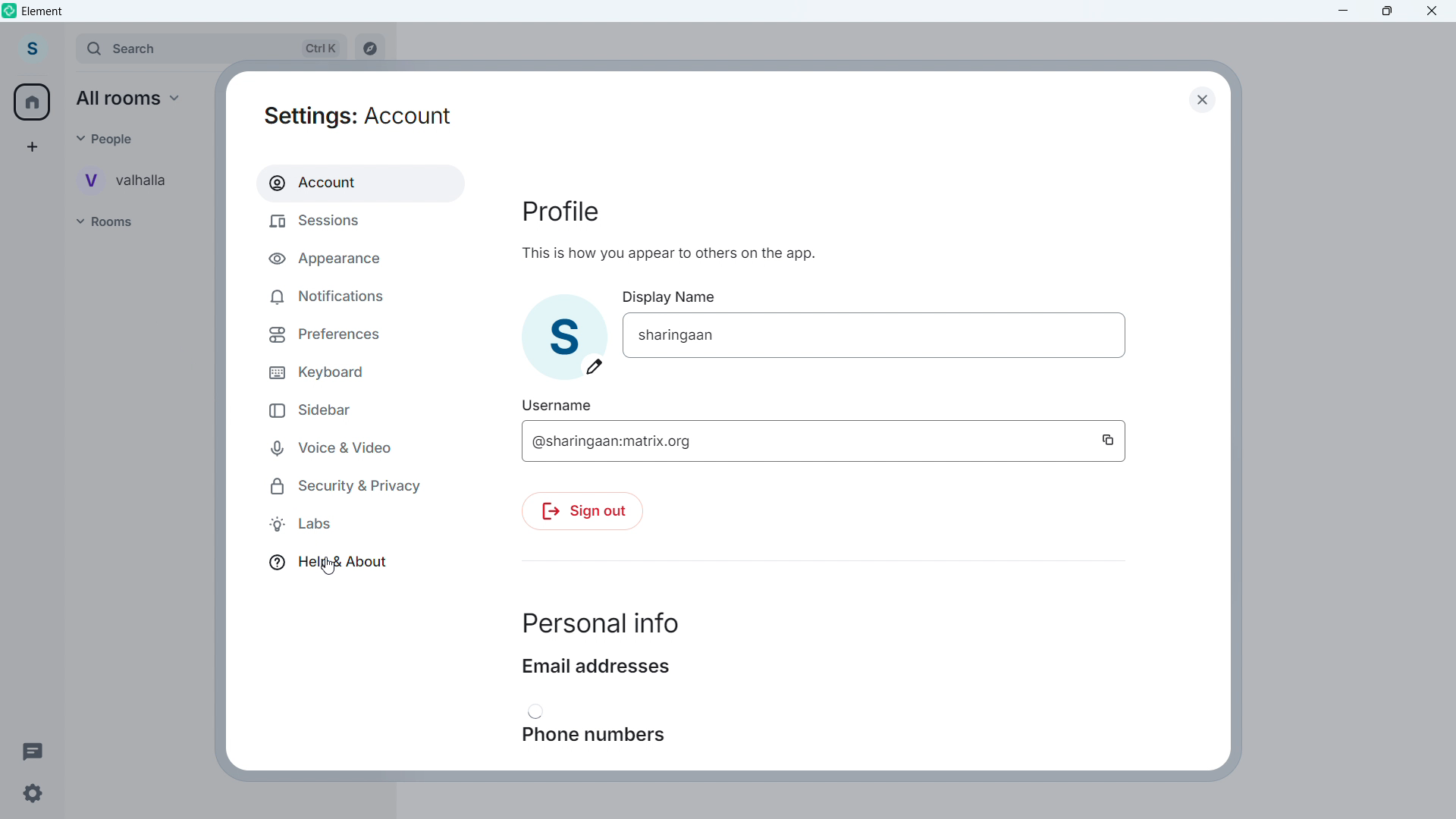 The height and width of the screenshot is (819, 1456). Describe the element at coordinates (326, 563) in the screenshot. I see `Help and about ` at that location.